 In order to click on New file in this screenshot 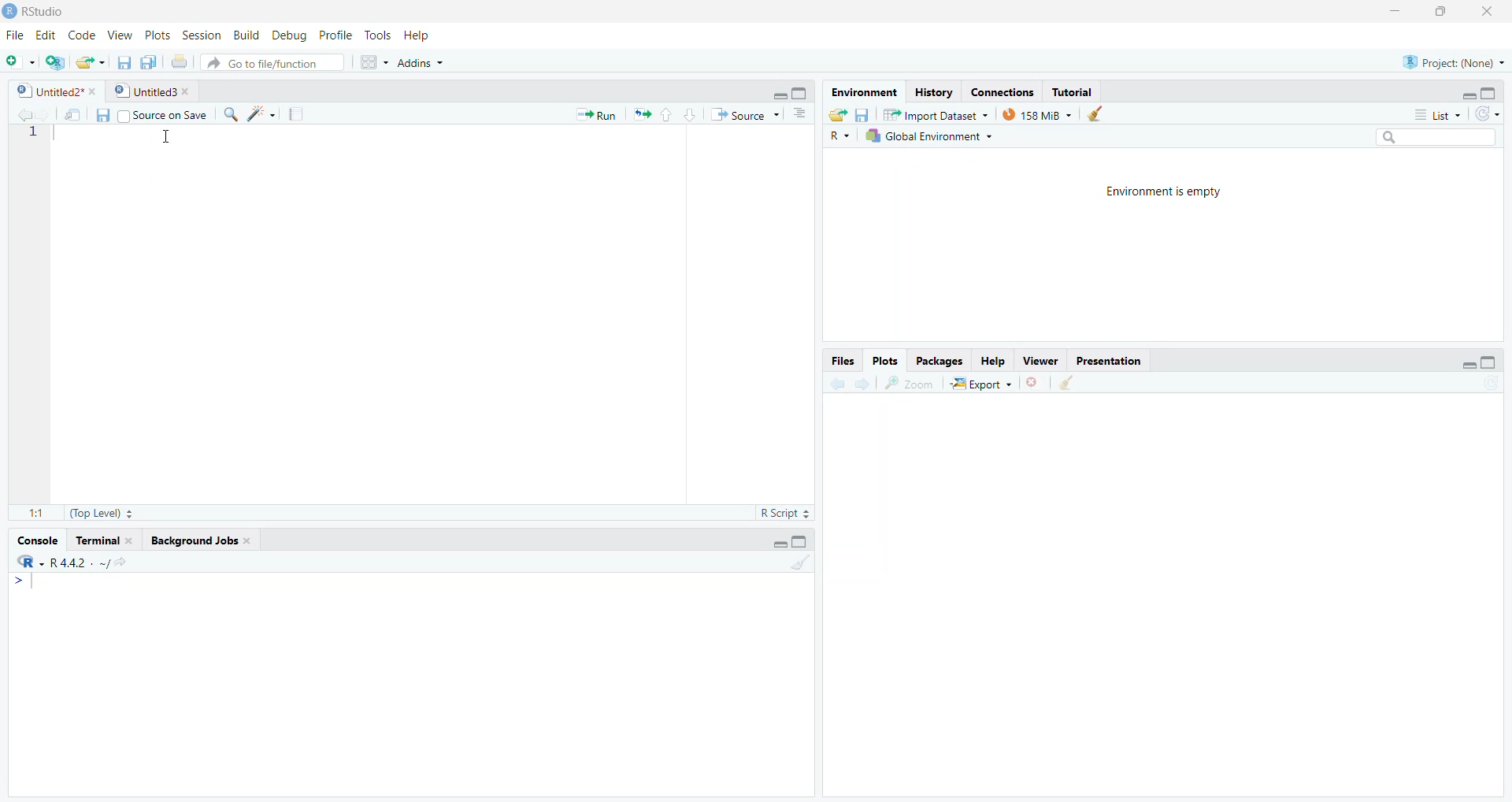, I will do `click(20, 59)`.